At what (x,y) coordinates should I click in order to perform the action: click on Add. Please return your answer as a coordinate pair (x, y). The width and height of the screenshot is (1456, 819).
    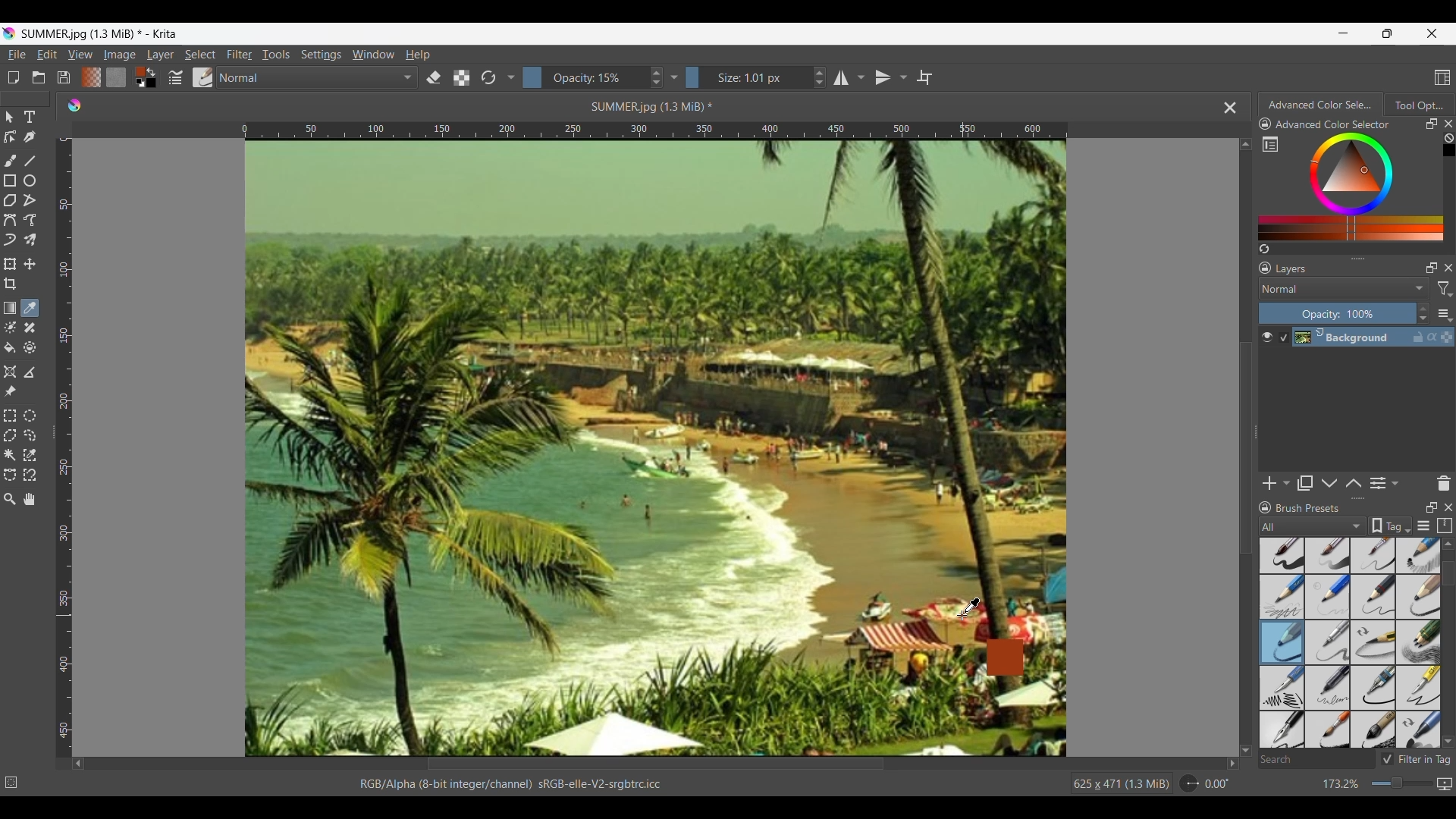
    Looking at the image, I should click on (1269, 483).